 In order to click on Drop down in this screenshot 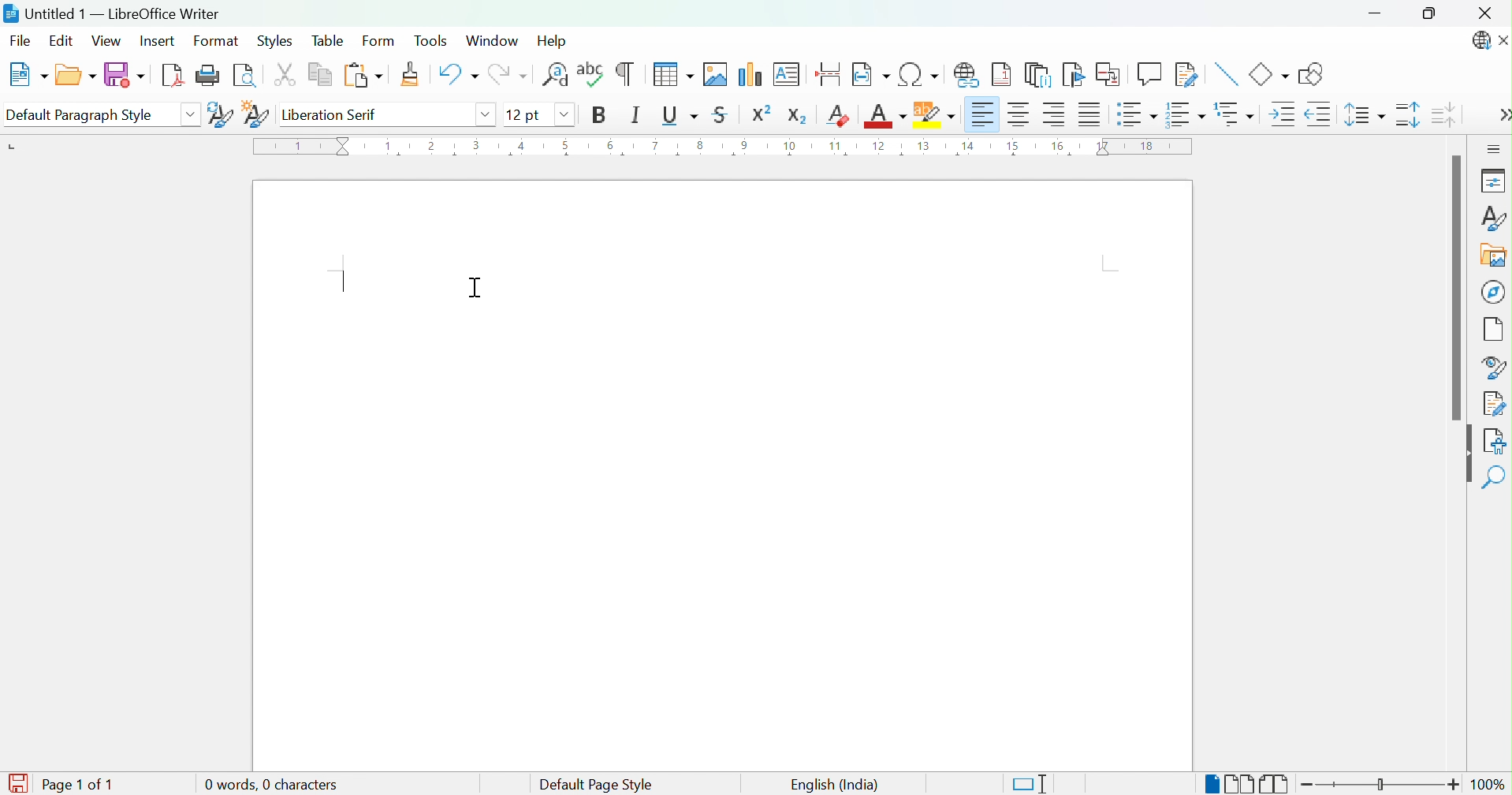, I will do `click(484, 114)`.